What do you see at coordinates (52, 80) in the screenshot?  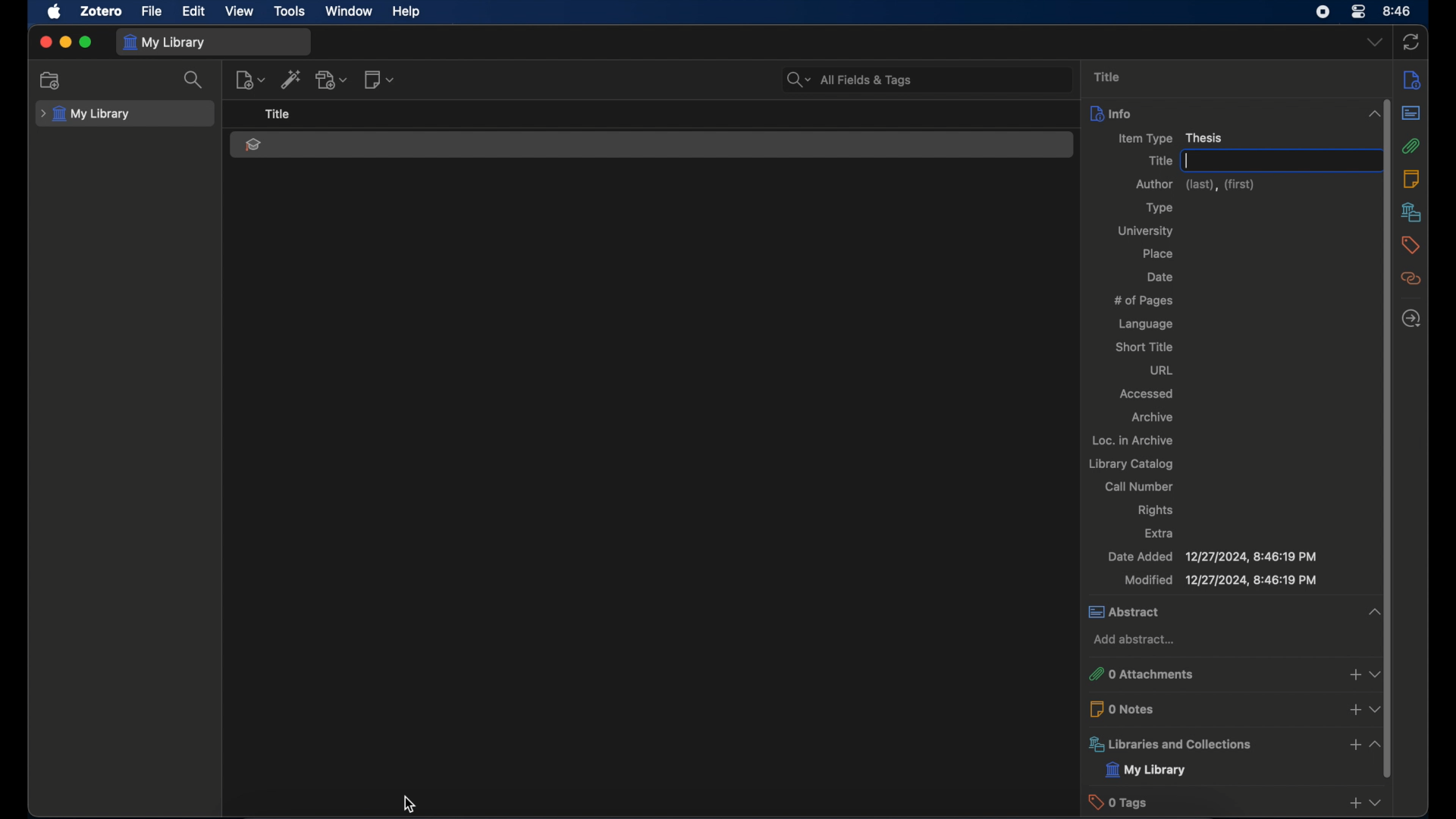 I see `new collection` at bounding box center [52, 80].